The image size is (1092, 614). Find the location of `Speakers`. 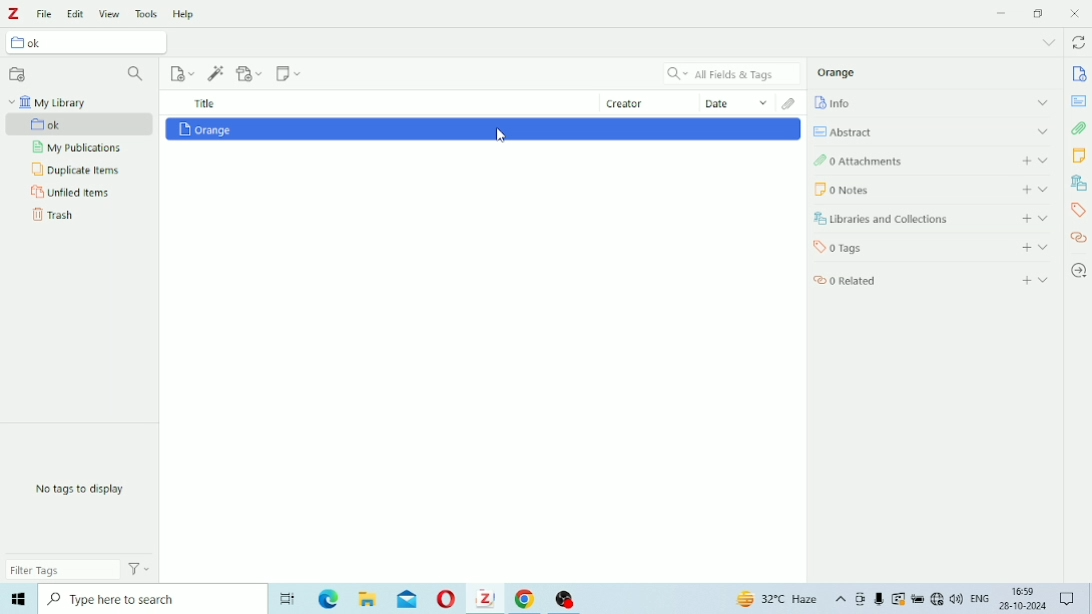

Speakers is located at coordinates (957, 599).